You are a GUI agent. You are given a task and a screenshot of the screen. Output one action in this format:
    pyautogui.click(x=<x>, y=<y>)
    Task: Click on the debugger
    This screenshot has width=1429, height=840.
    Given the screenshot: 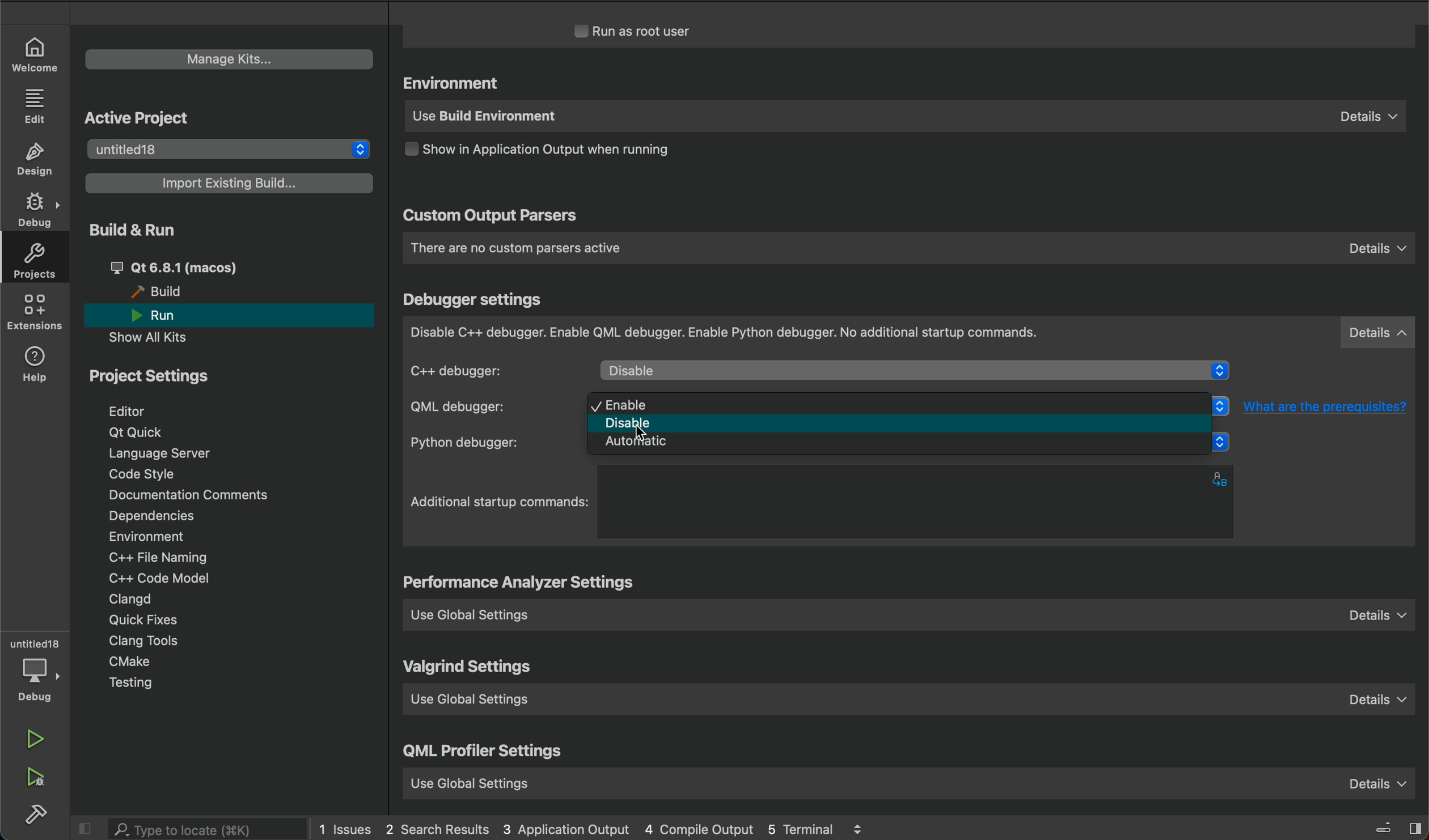 What is the action you would take?
    pyautogui.click(x=910, y=333)
    